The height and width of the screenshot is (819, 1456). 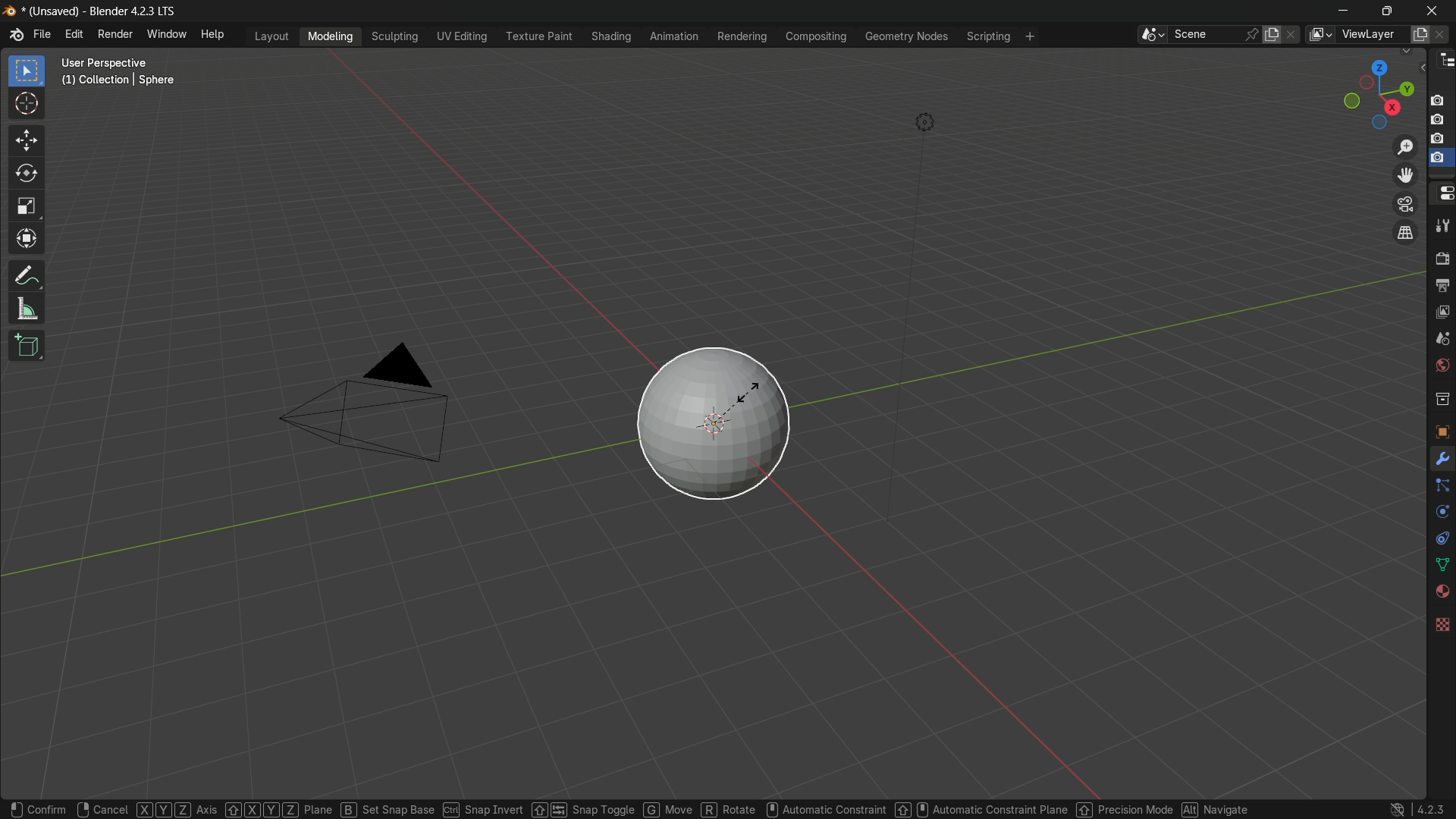 What do you see at coordinates (71, 35) in the screenshot?
I see `edit menu` at bounding box center [71, 35].